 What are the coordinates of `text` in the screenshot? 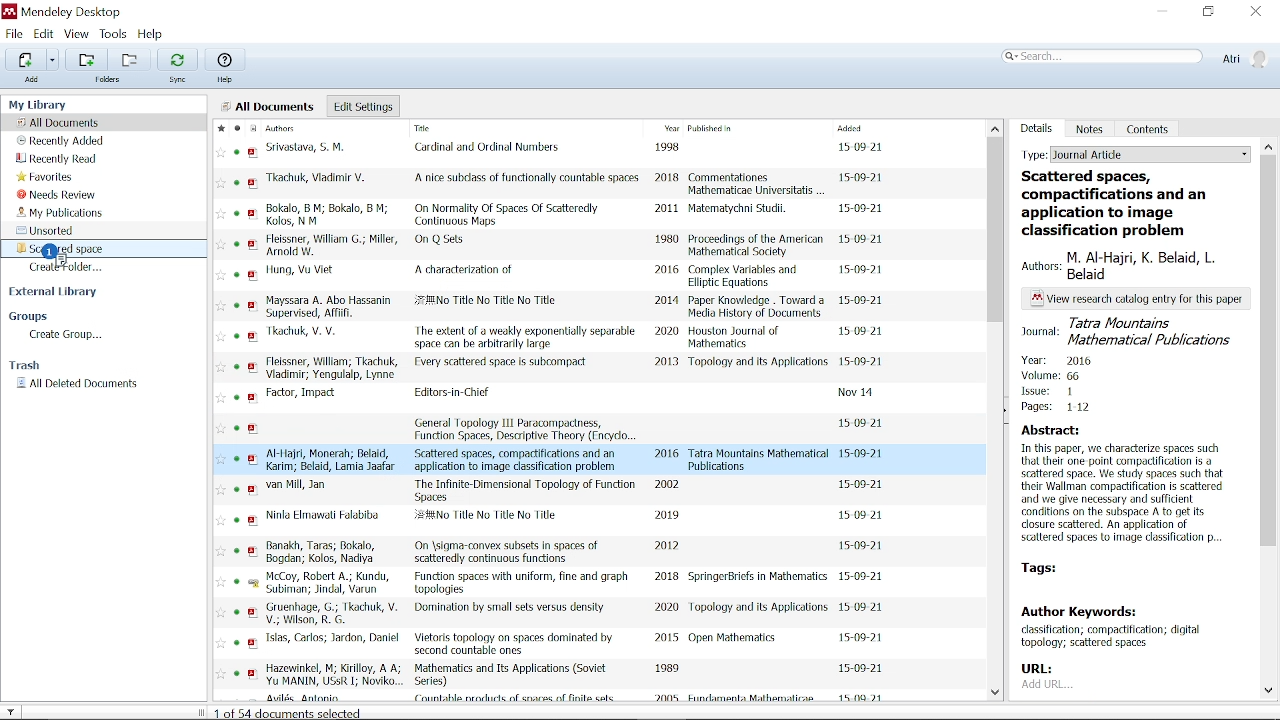 It's located at (1137, 299).